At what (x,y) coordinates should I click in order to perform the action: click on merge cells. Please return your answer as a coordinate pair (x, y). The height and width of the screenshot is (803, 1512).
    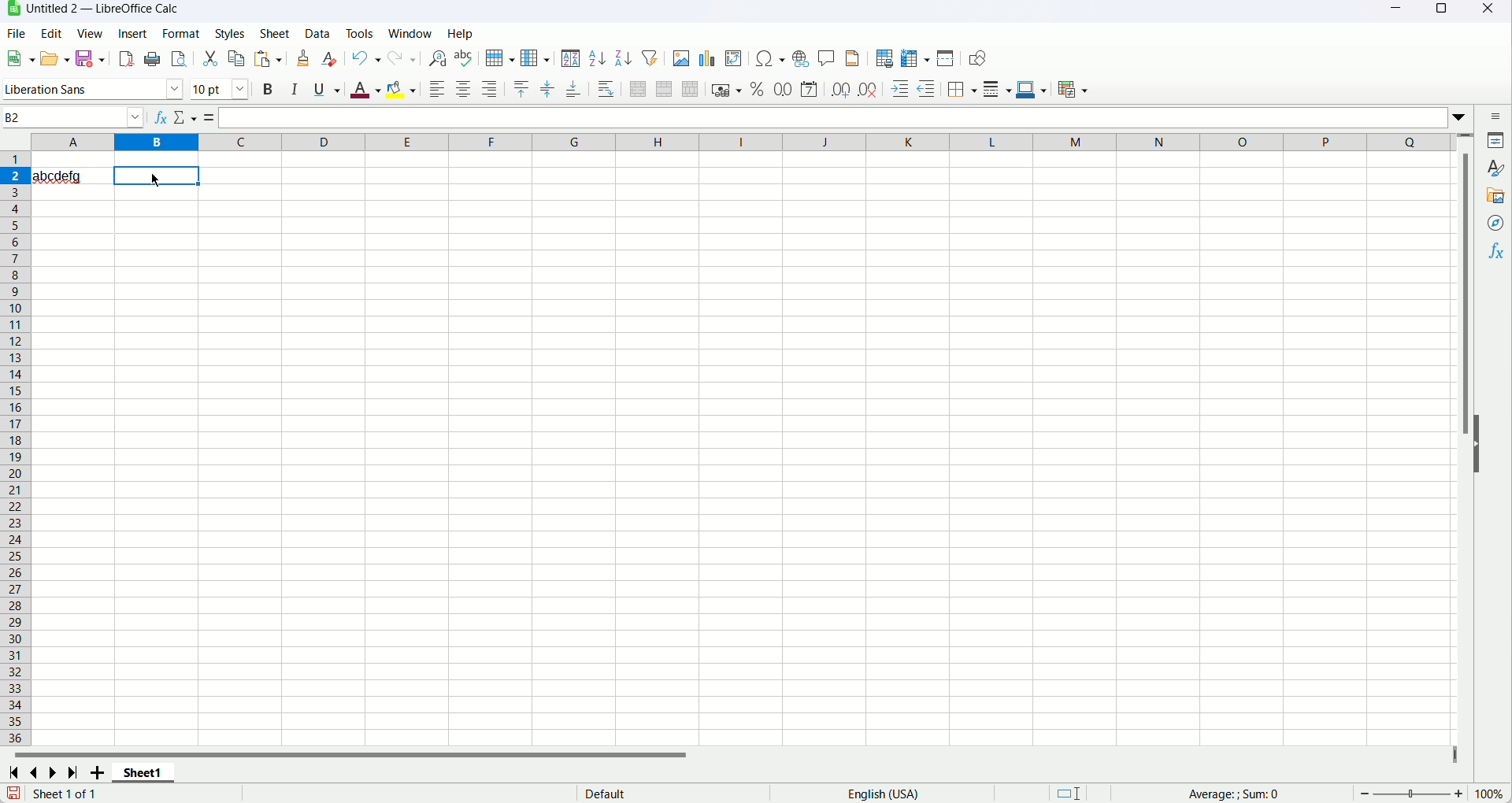
    Looking at the image, I should click on (664, 91).